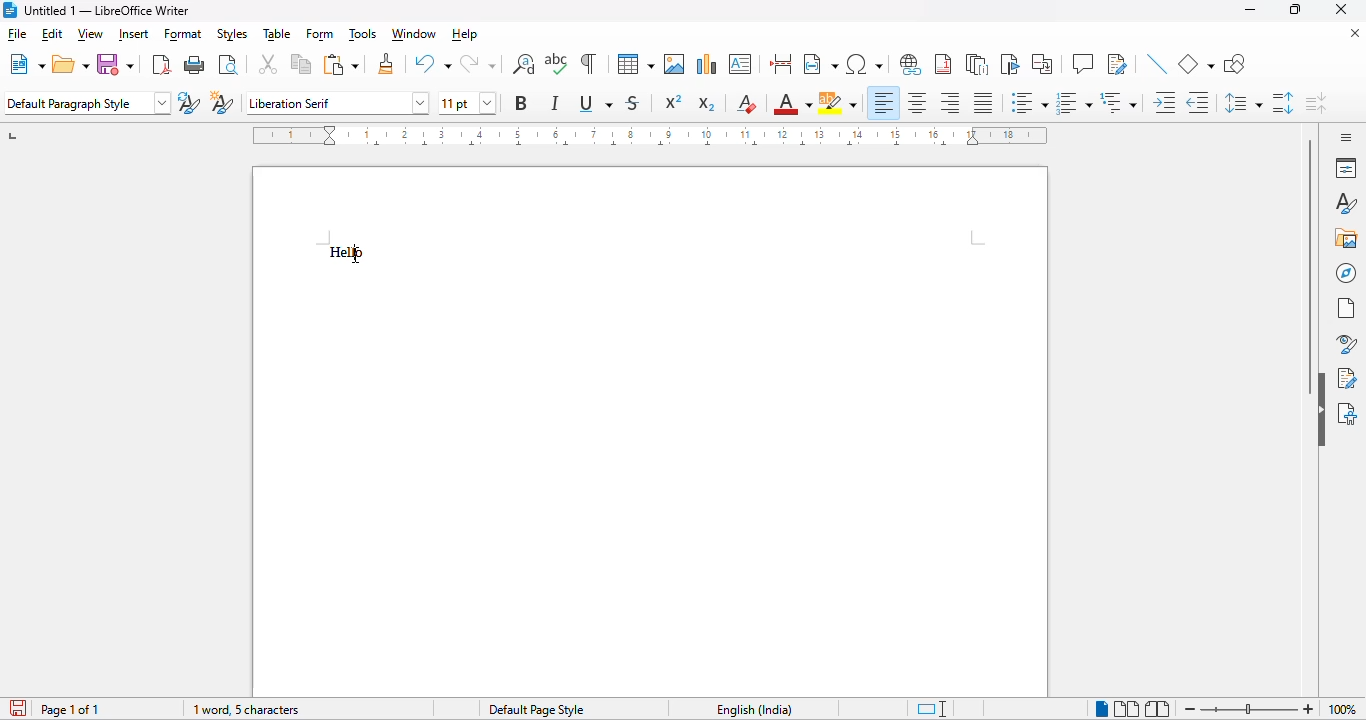 The height and width of the screenshot is (720, 1366). Describe the element at coordinates (1083, 63) in the screenshot. I see `insert comment` at that location.